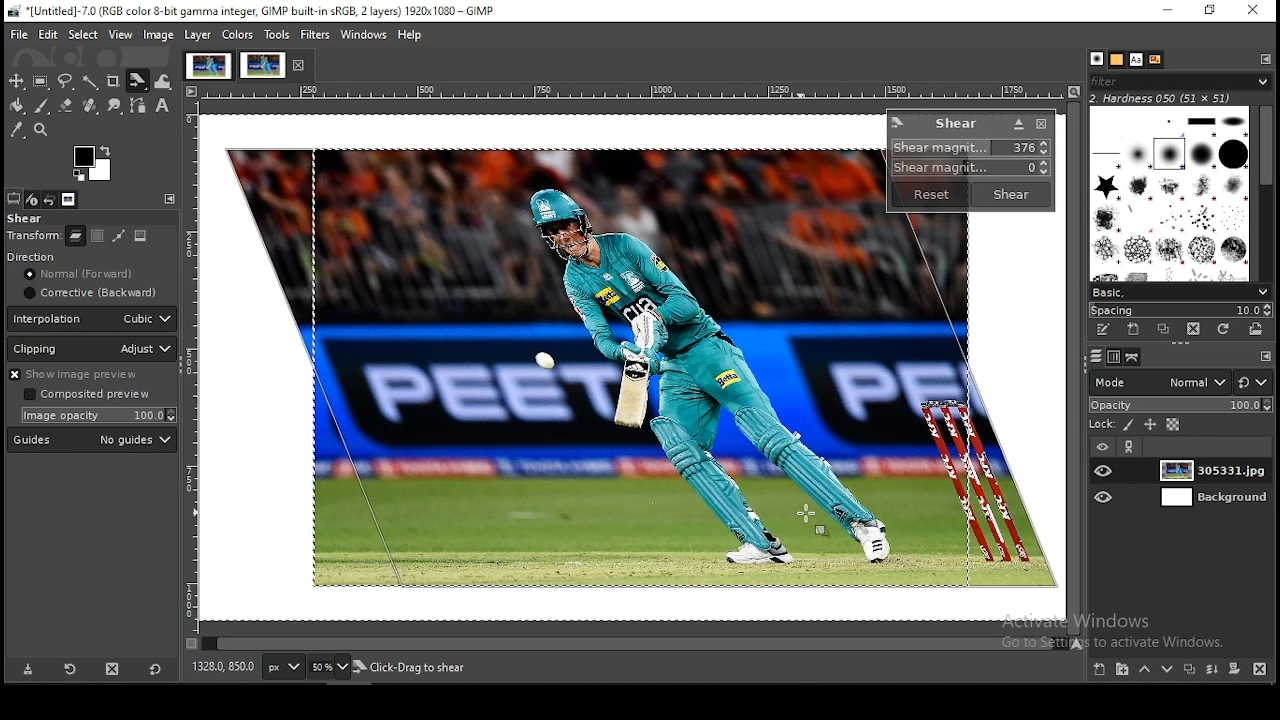 The height and width of the screenshot is (720, 1280). What do you see at coordinates (91, 106) in the screenshot?
I see `heal tool` at bounding box center [91, 106].